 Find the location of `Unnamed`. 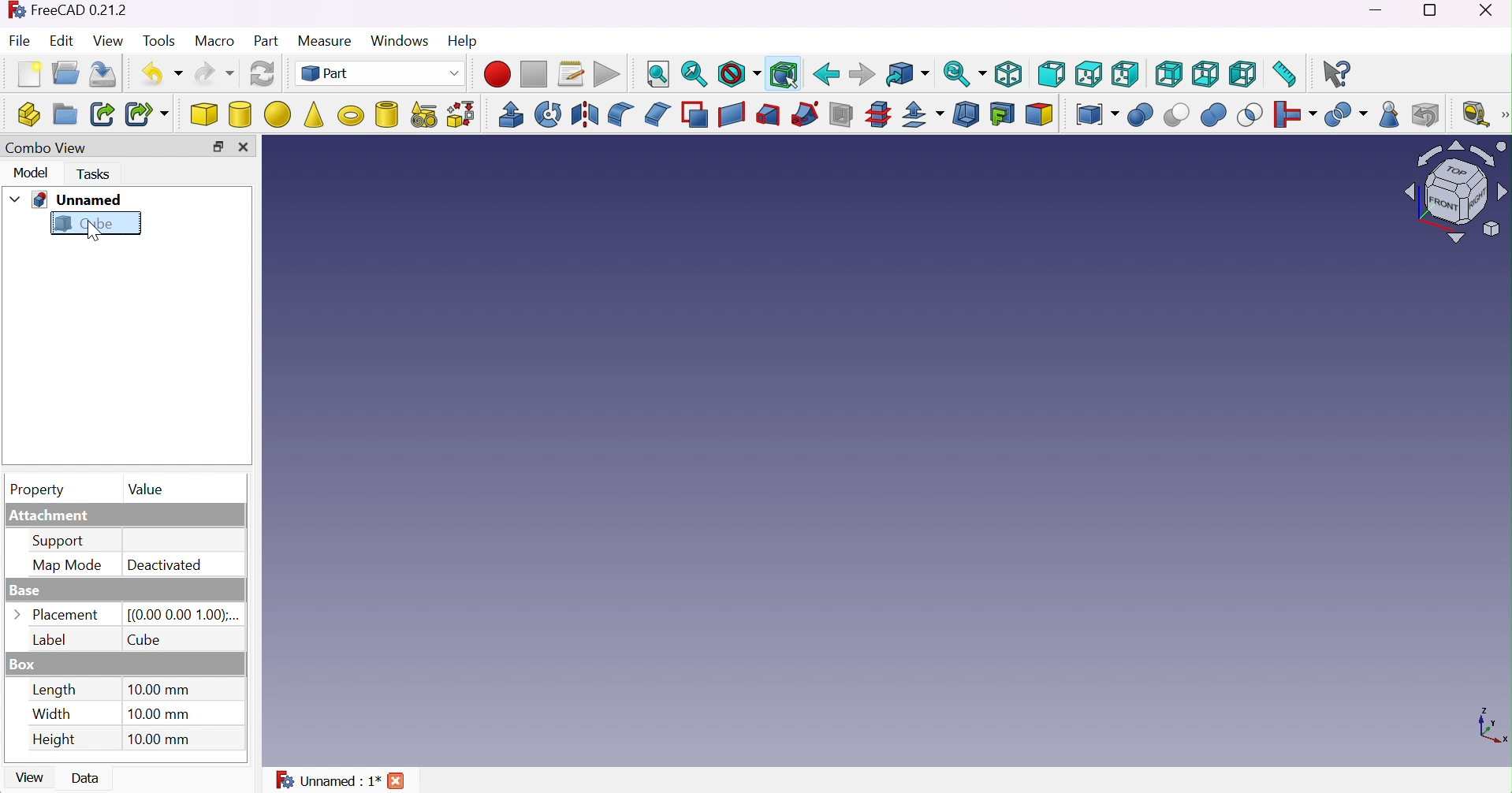

Unnamed is located at coordinates (79, 200).